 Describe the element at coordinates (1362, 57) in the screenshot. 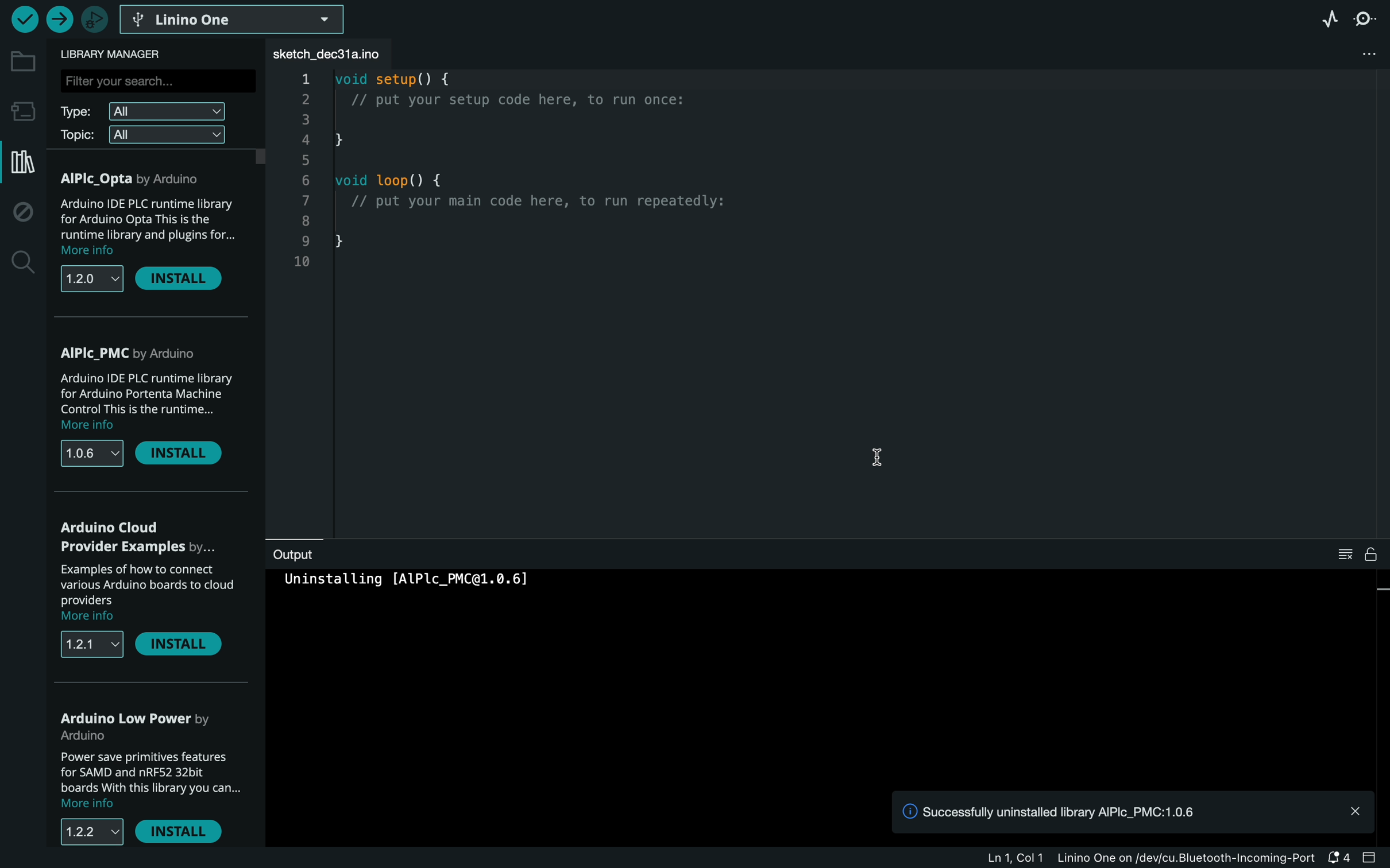

I see `file setting` at that location.